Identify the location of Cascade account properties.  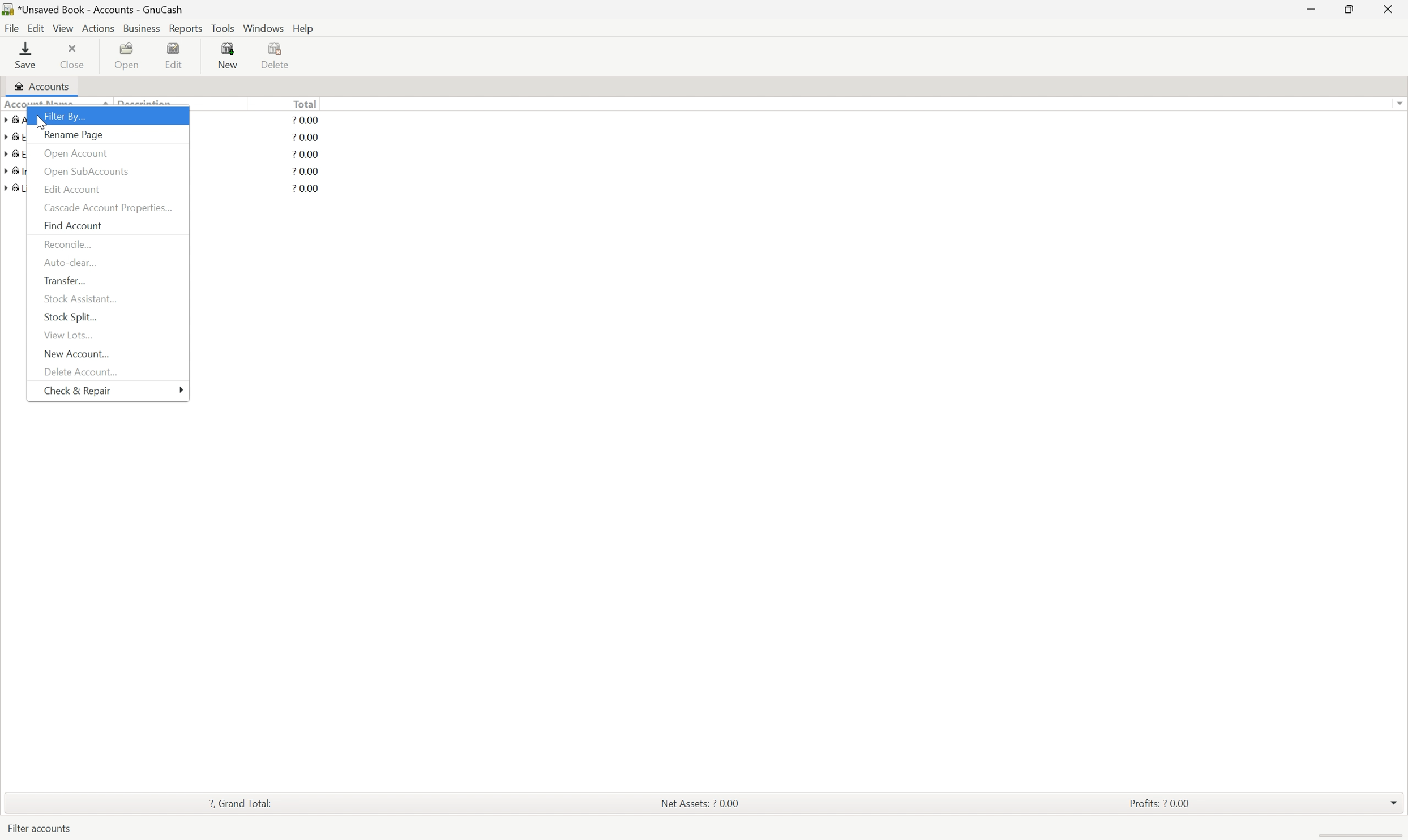
(108, 209).